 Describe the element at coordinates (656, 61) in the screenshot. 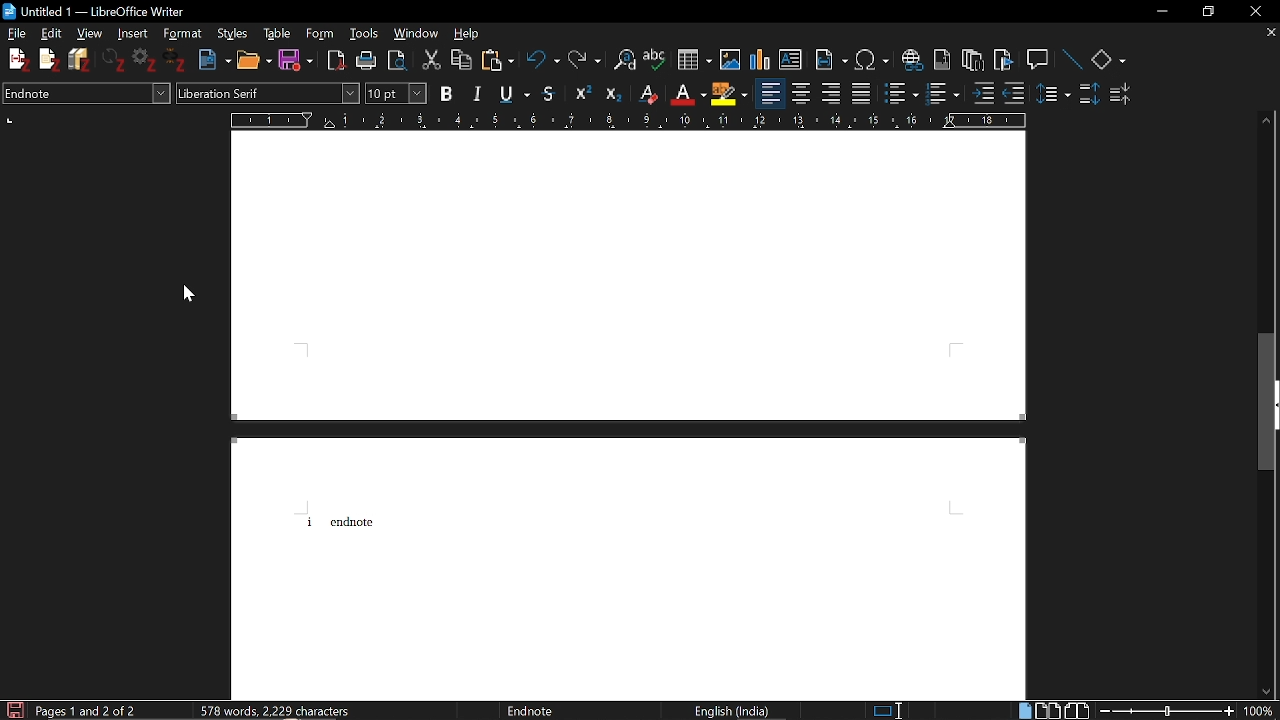

I see `Check spelling` at that location.